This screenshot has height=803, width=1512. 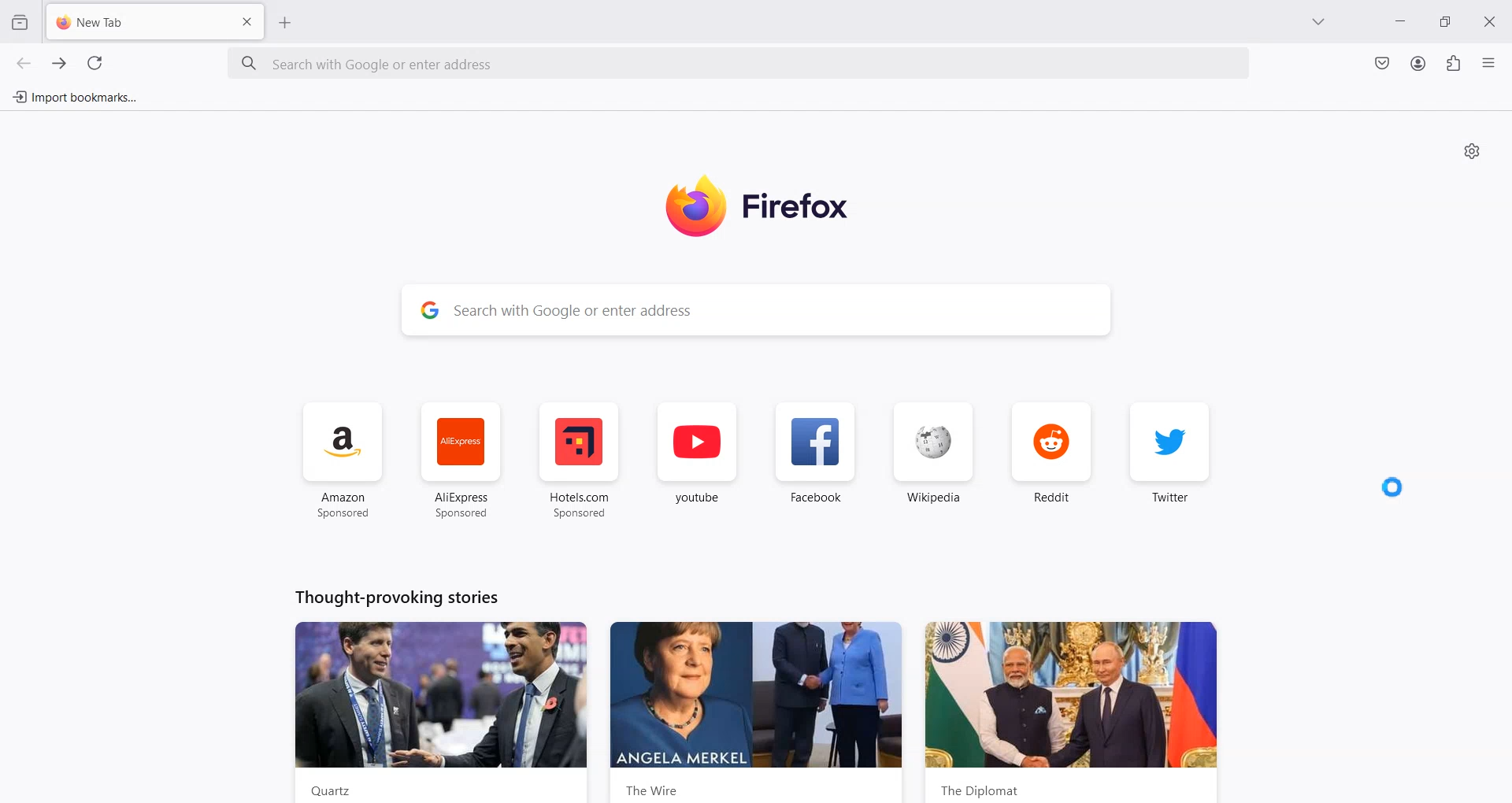 What do you see at coordinates (427, 312) in the screenshot?
I see `google logo` at bounding box center [427, 312].